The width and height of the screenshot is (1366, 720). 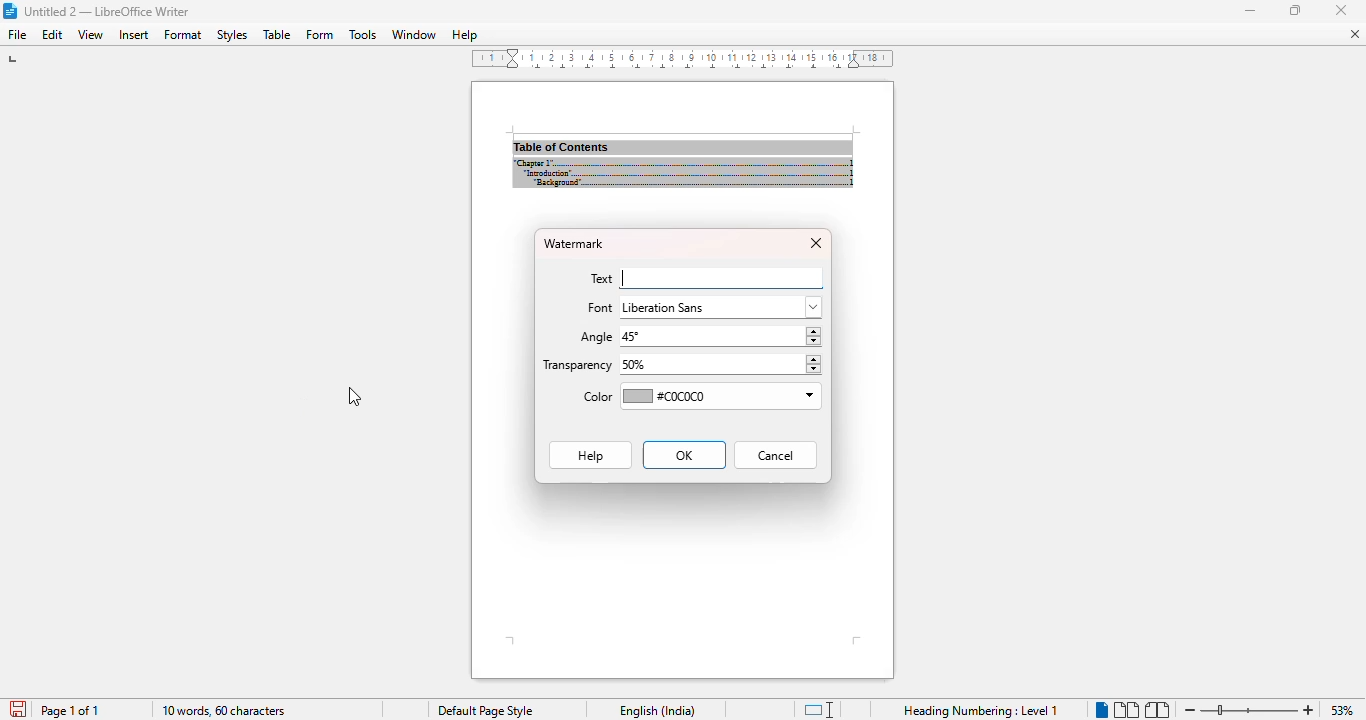 I want to click on file, so click(x=17, y=35).